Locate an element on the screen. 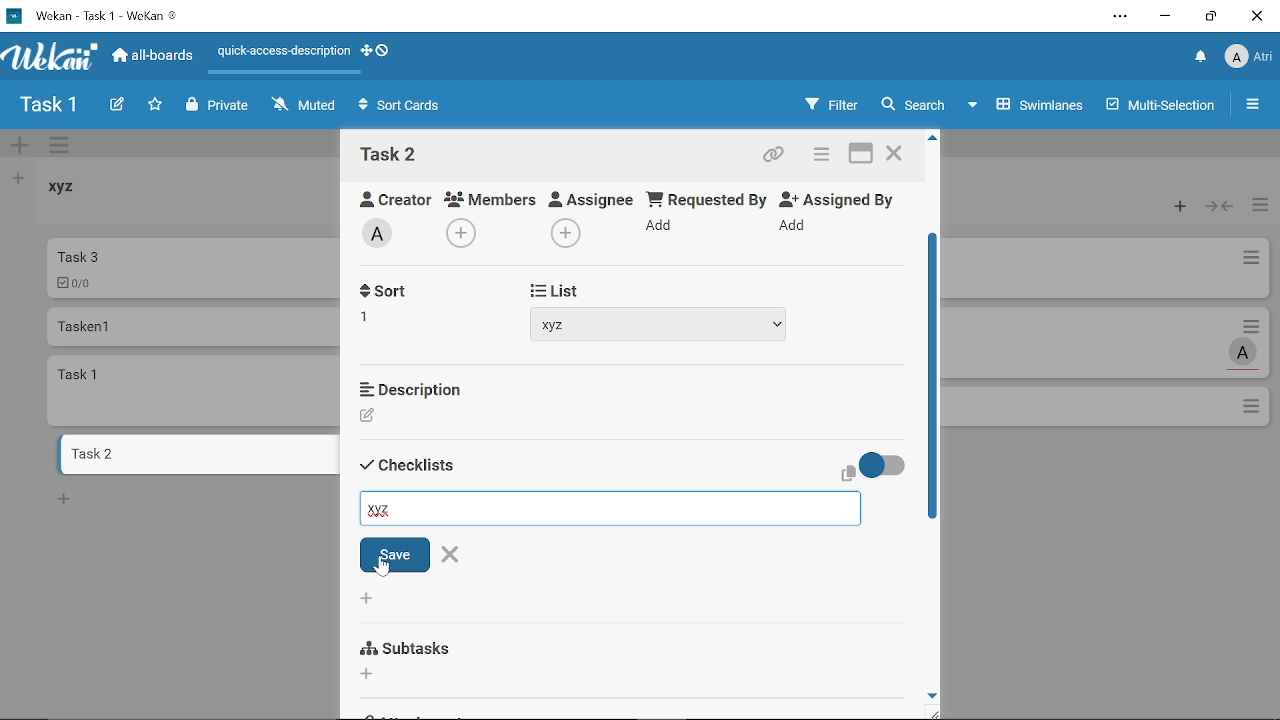 Image resolution: width=1280 pixels, height=720 pixels. Description is located at coordinates (410, 387).